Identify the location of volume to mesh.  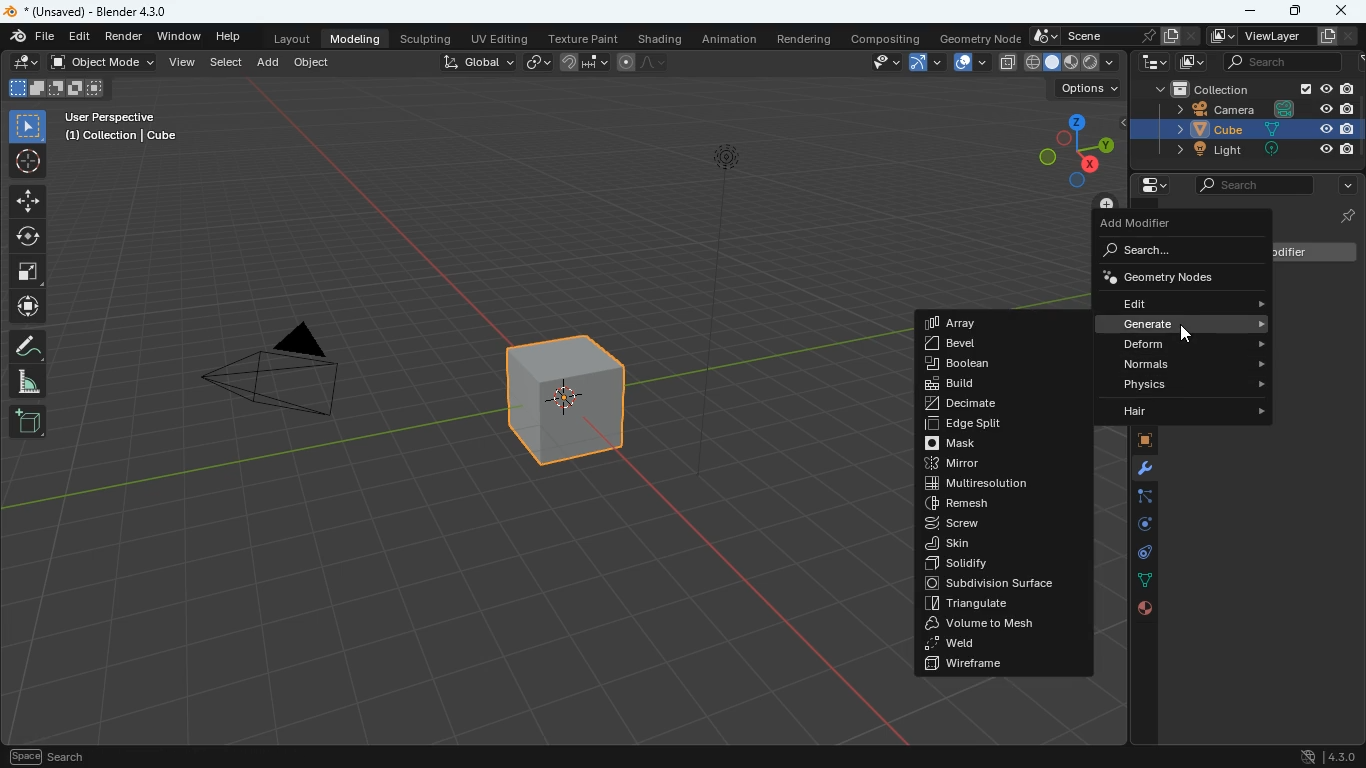
(1001, 624).